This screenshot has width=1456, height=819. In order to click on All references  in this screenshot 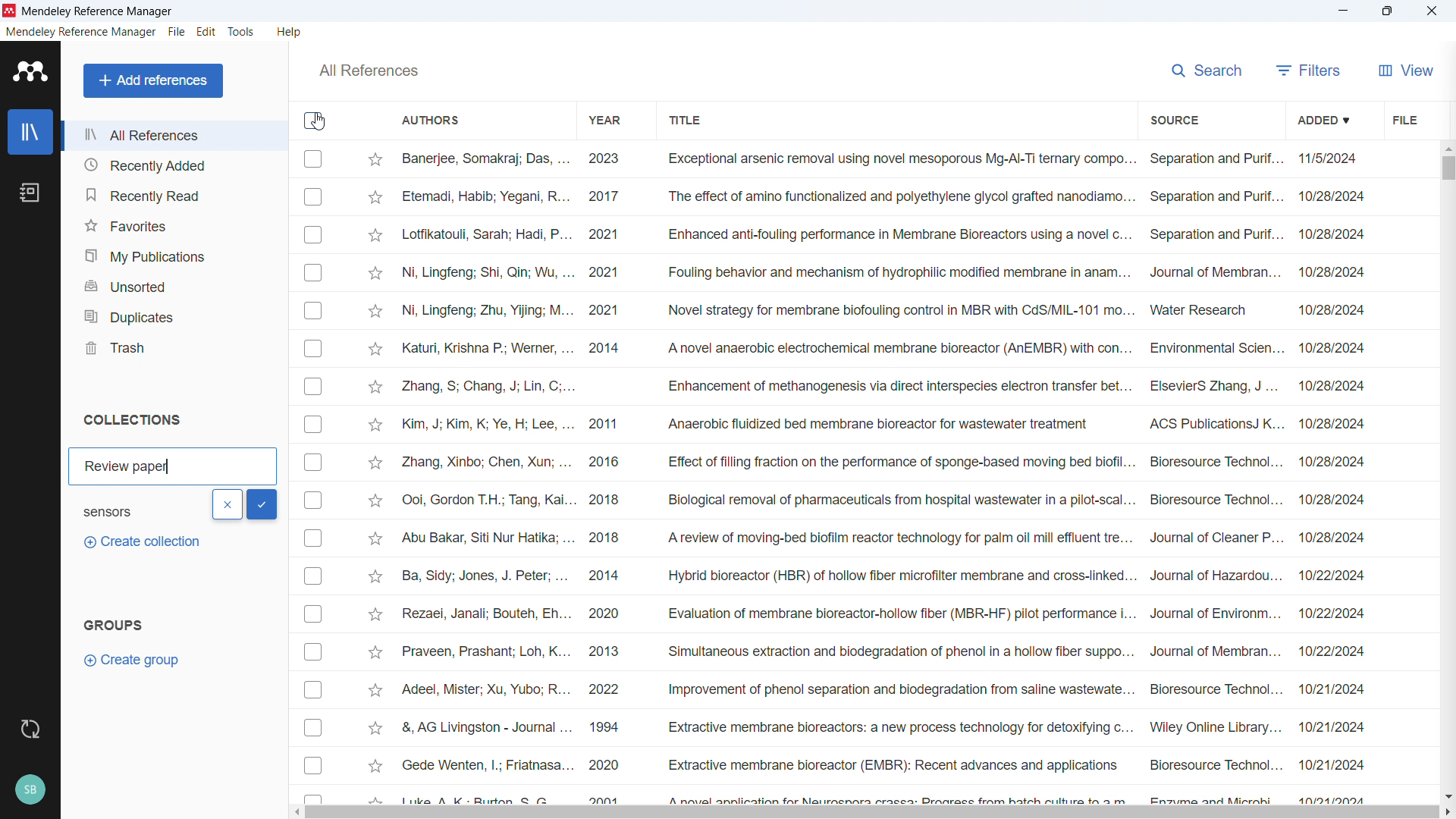, I will do `click(368, 71)`.